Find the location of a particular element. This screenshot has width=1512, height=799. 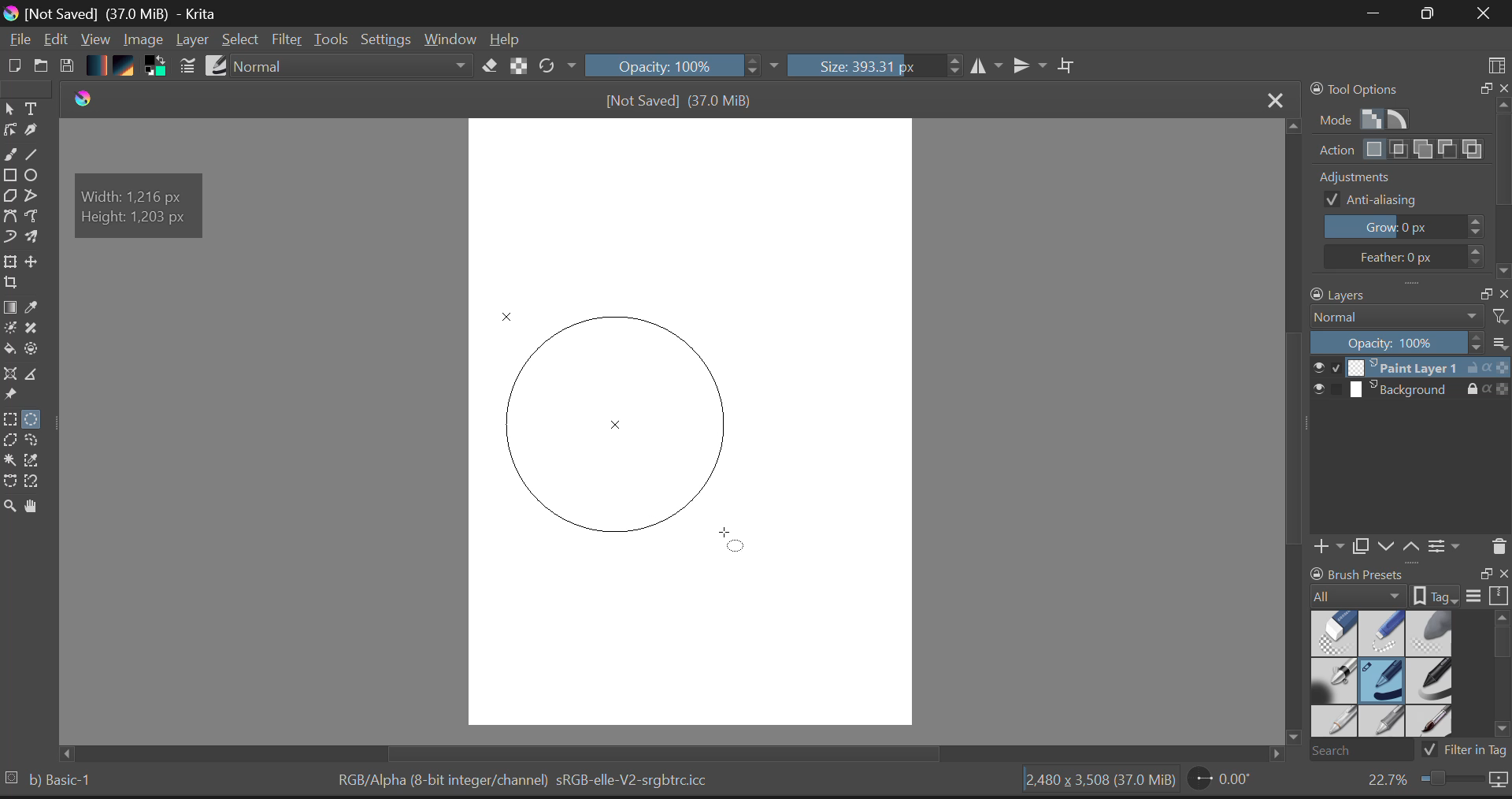

Select is located at coordinates (9, 110).